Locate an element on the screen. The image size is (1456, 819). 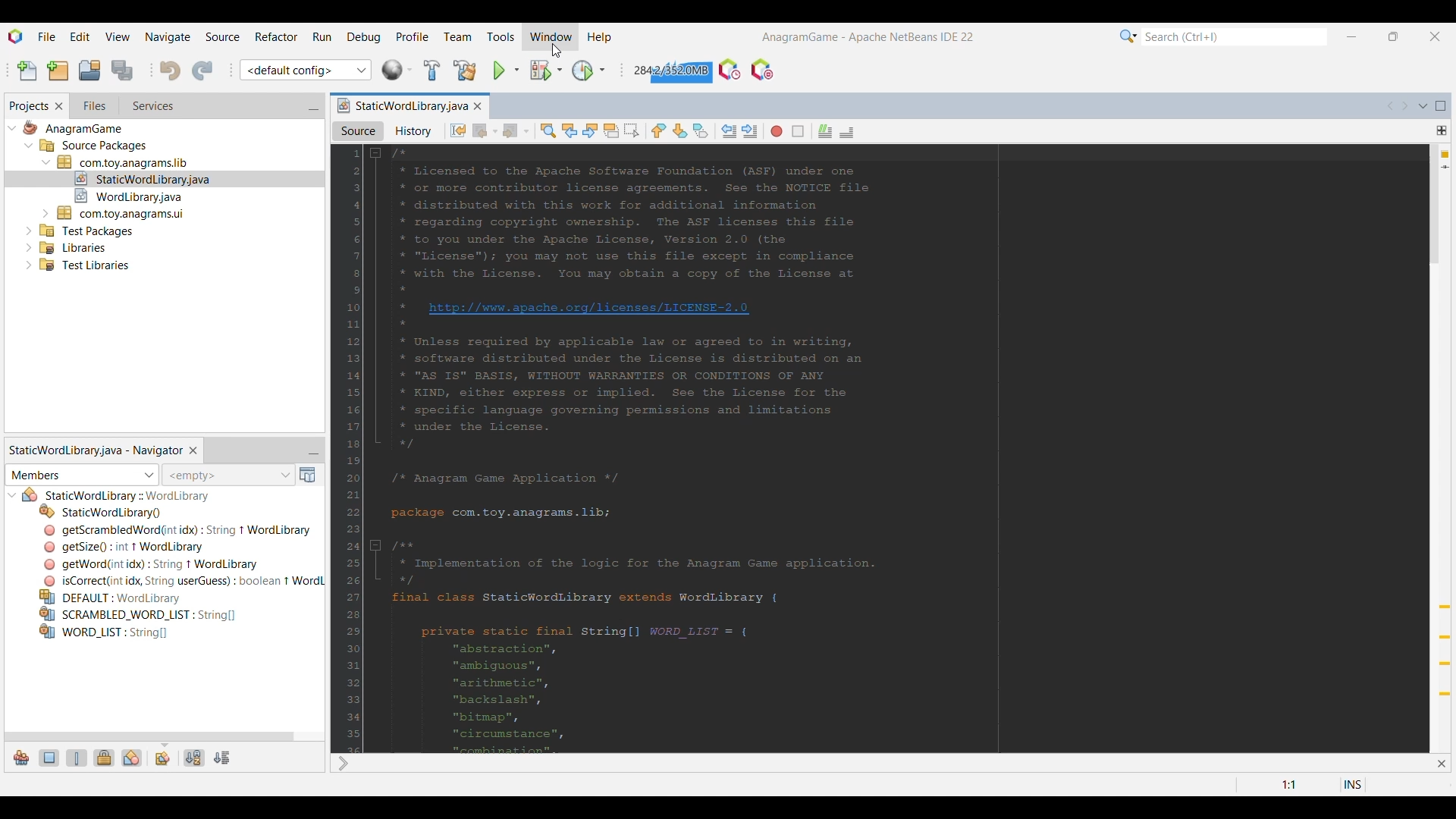
Navigate menu is located at coordinates (167, 36).